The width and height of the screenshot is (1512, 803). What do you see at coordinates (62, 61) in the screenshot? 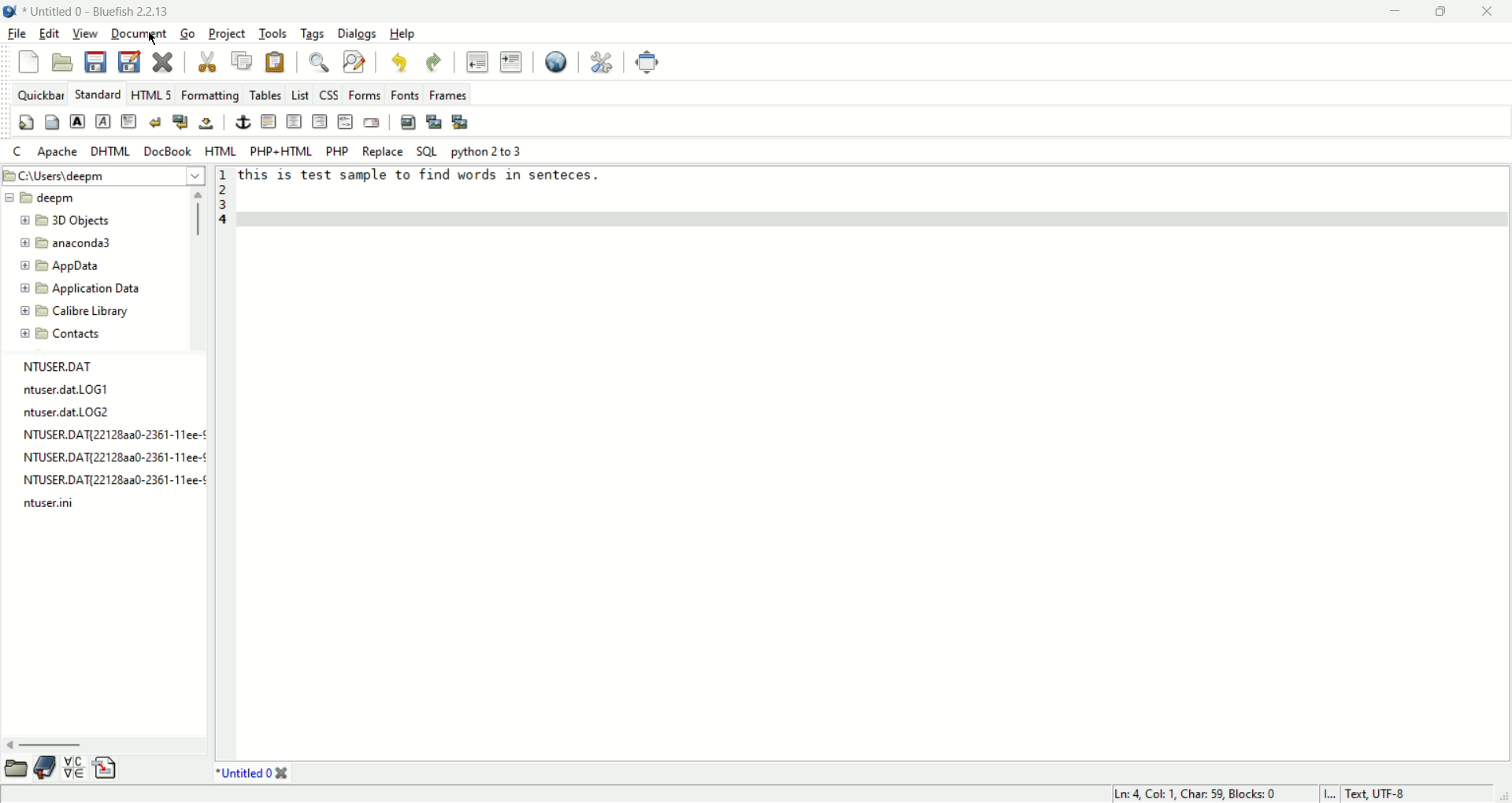
I see `open file` at bounding box center [62, 61].